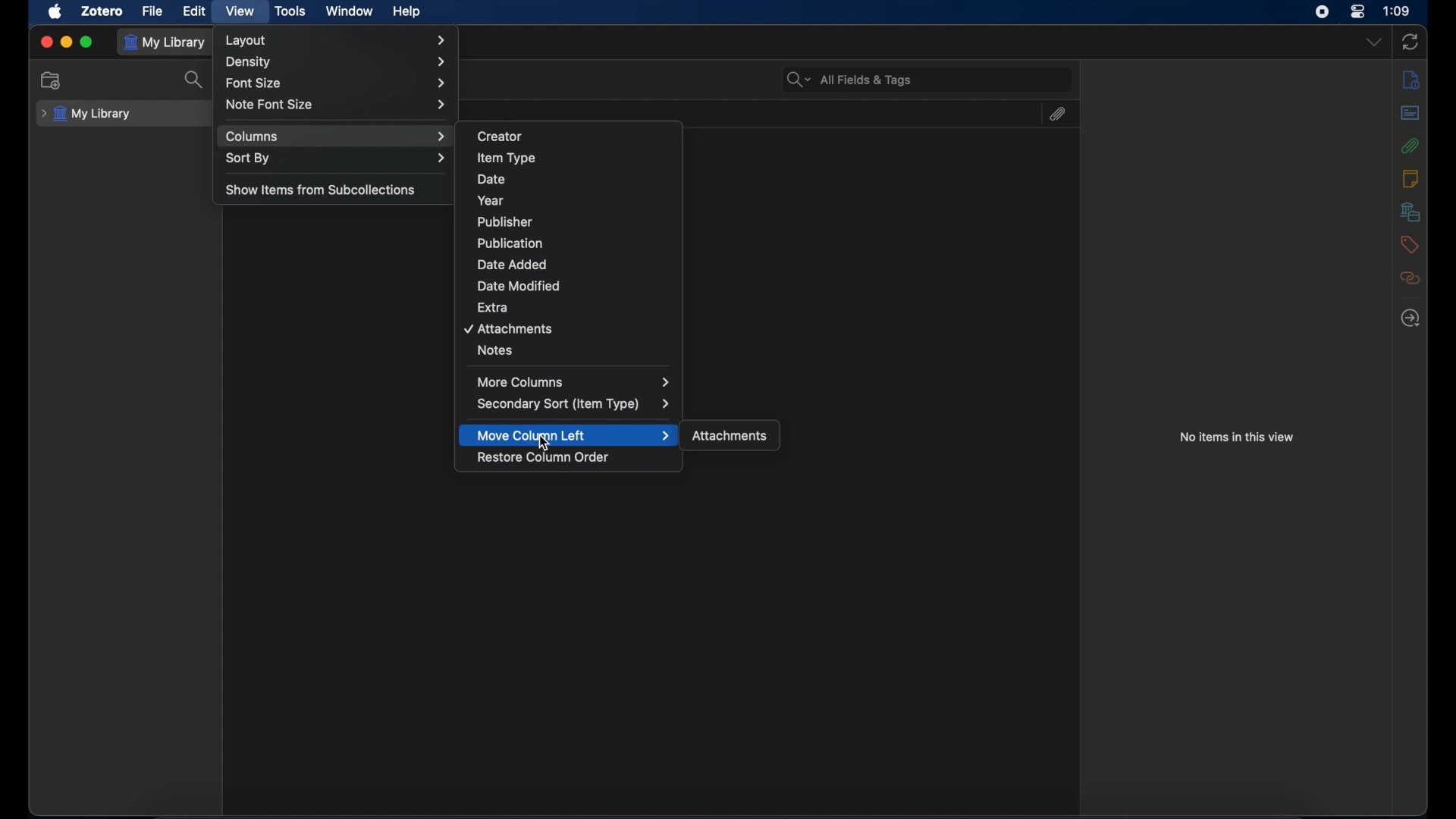 This screenshot has width=1456, height=819. Describe the element at coordinates (1056, 114) in the screenshot. I see `attachments` at that location.